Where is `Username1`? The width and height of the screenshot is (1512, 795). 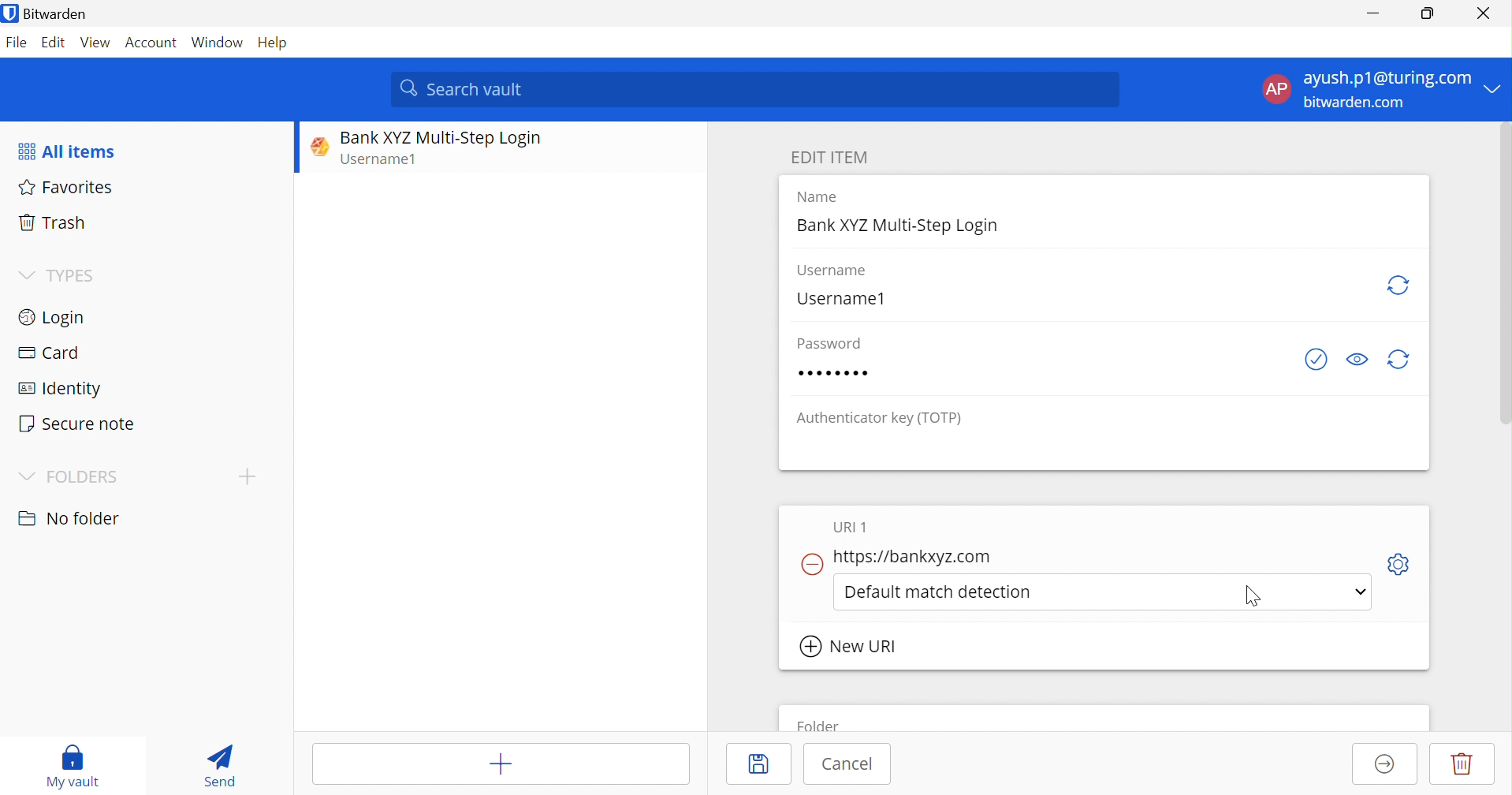 Username1 is located at coordinates (386, 161).